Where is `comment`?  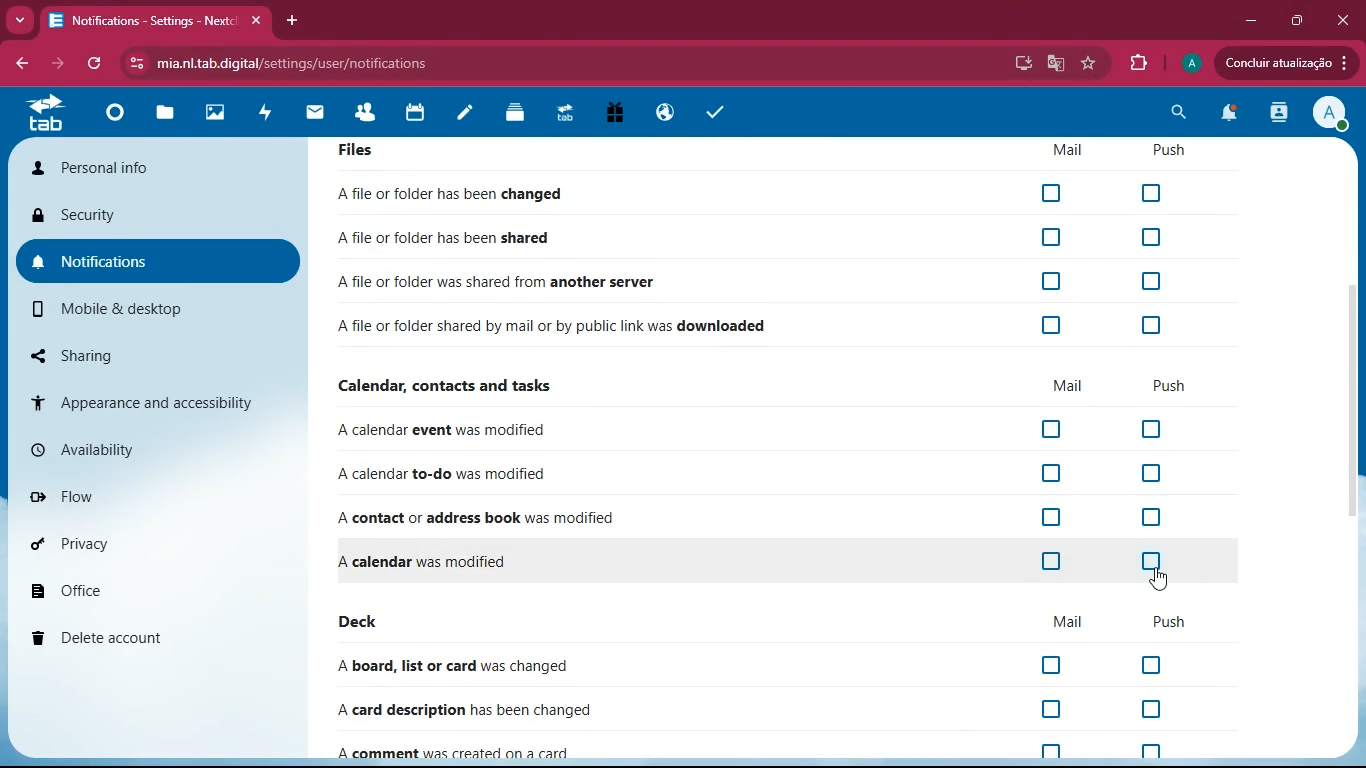
comment is located at coordinates (467, 749).